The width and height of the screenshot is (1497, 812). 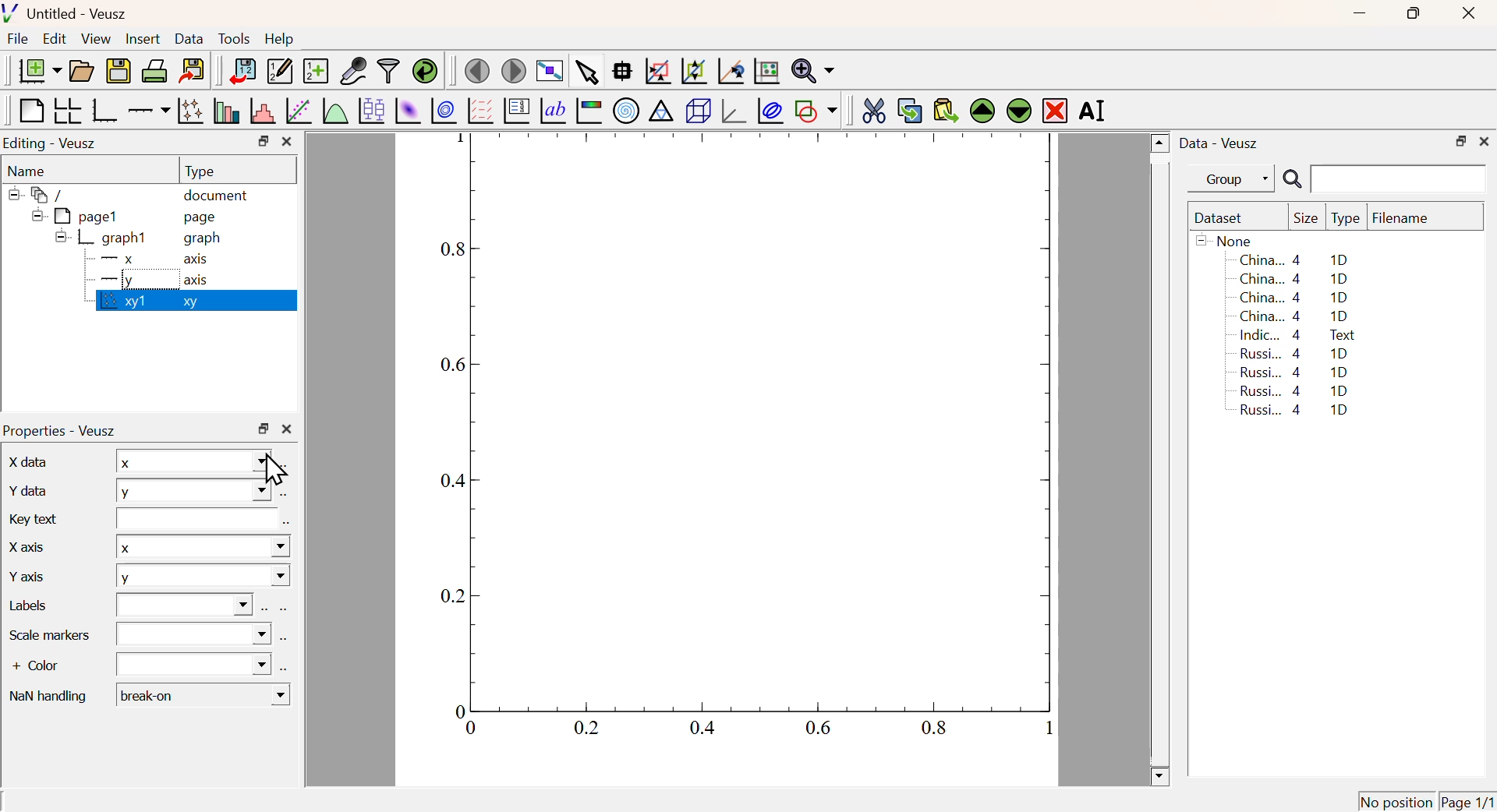 What do you see at coordinates (1297, 278) in the screenshot?
I see `China... 4 1D` at bounding box center [1297, 278].